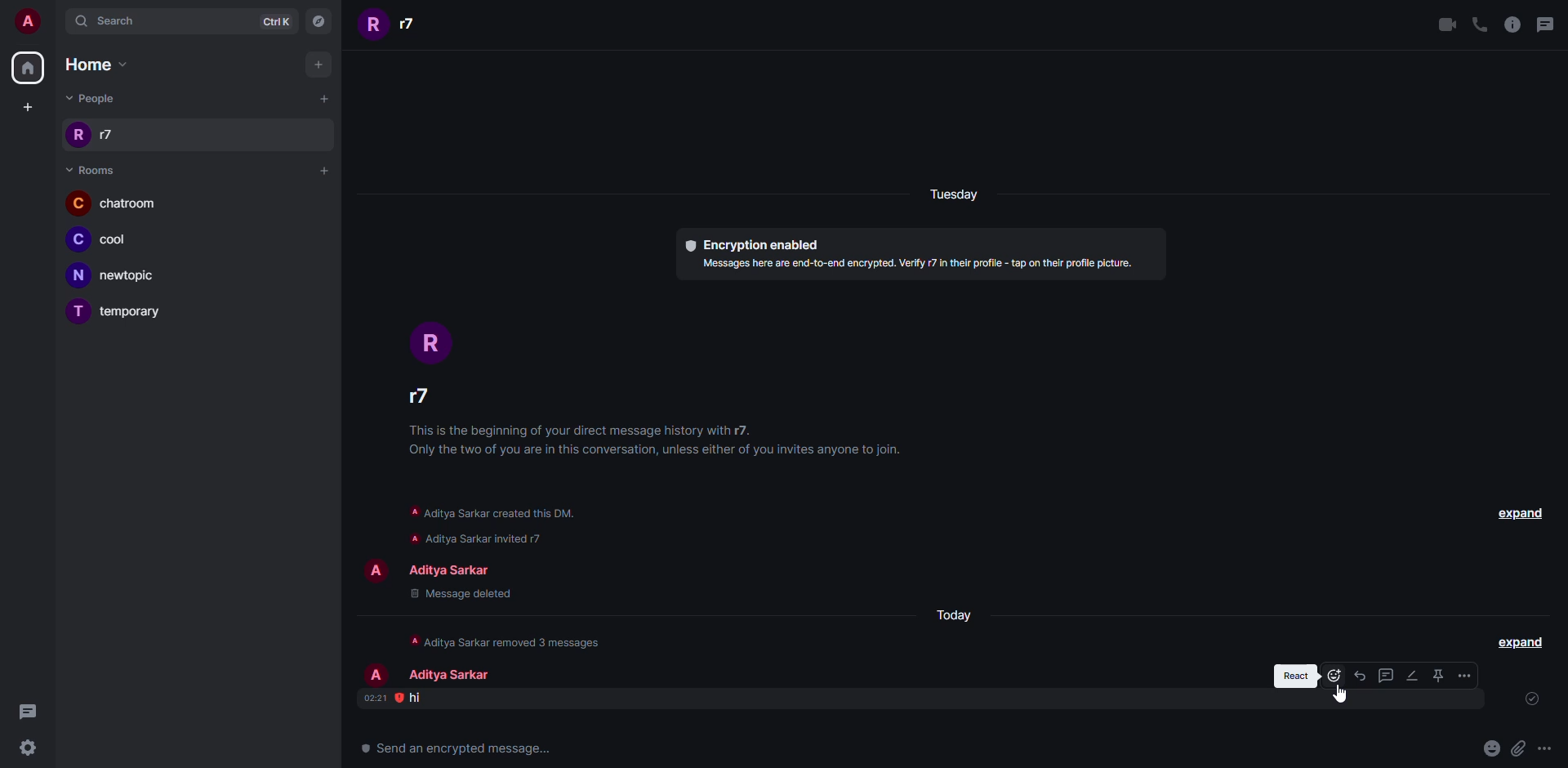 Image resolution: width=1568 pixels, height=768 pixels. I want to click on cursor, so click(1341, 694).